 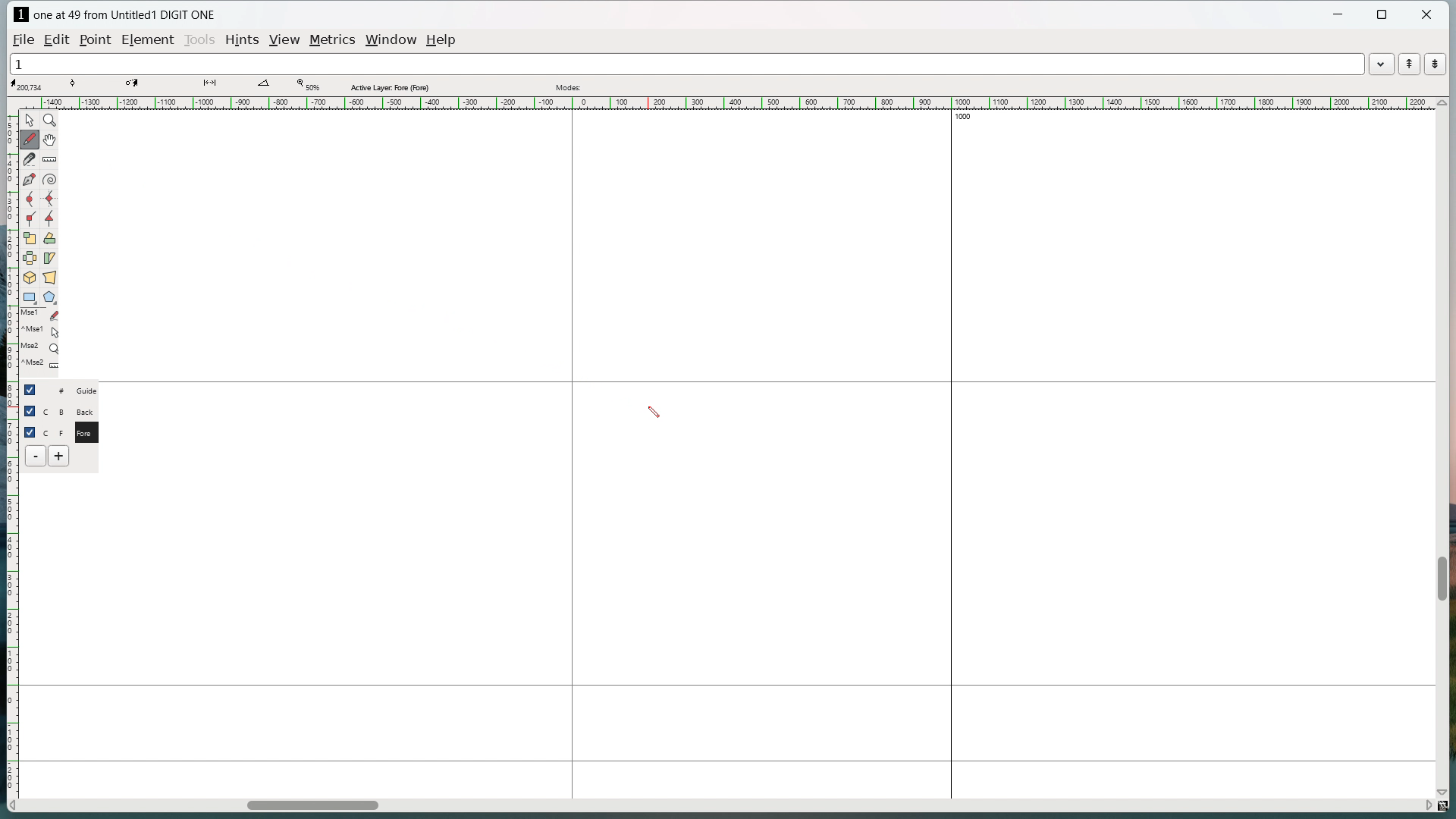 I want to click on 1, so click(x=686, y=63).